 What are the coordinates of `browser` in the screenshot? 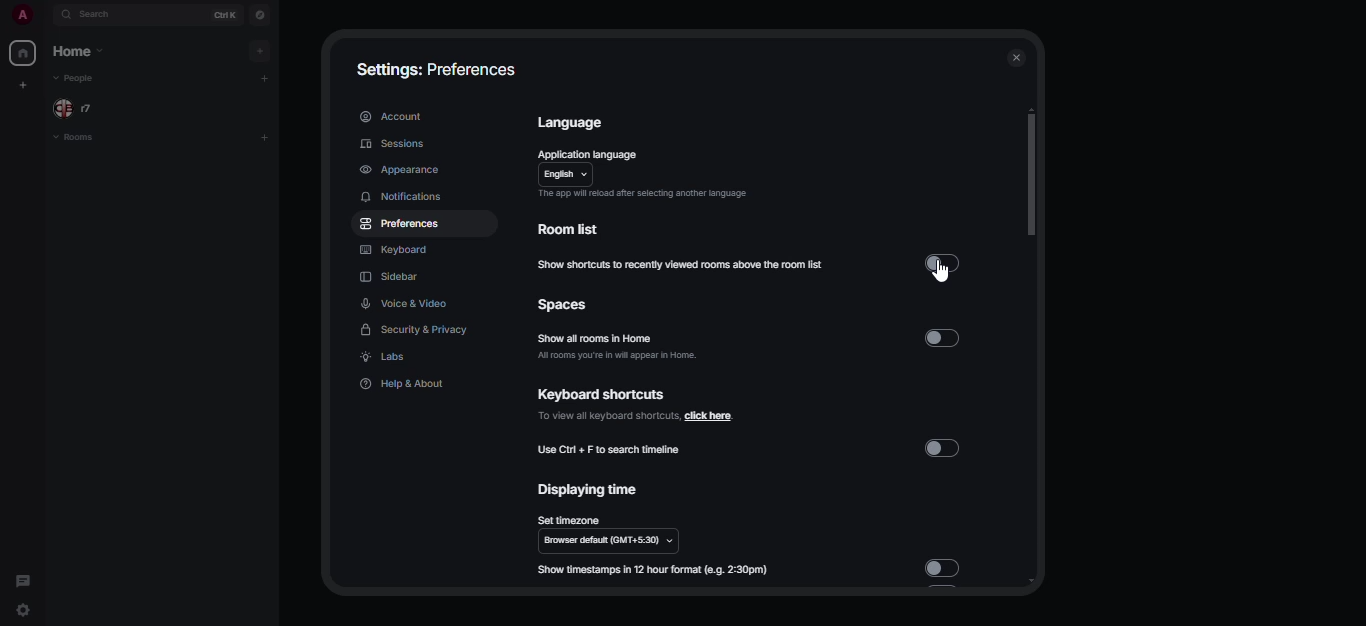 It's located at (610, 540).